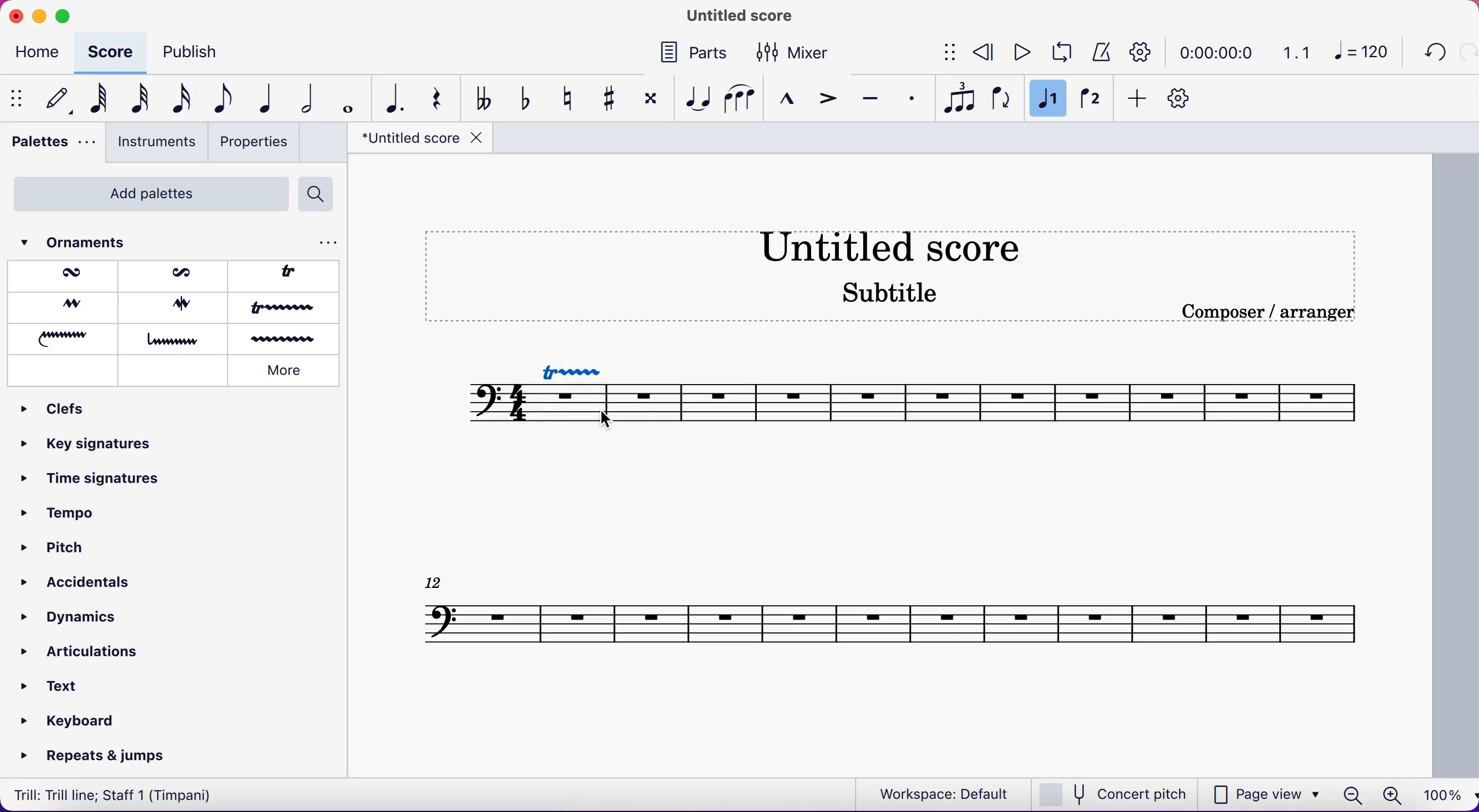  What do you see at coordinates (40, 54) in the screenshot?
I see `home` at bounding box center [40, 54].